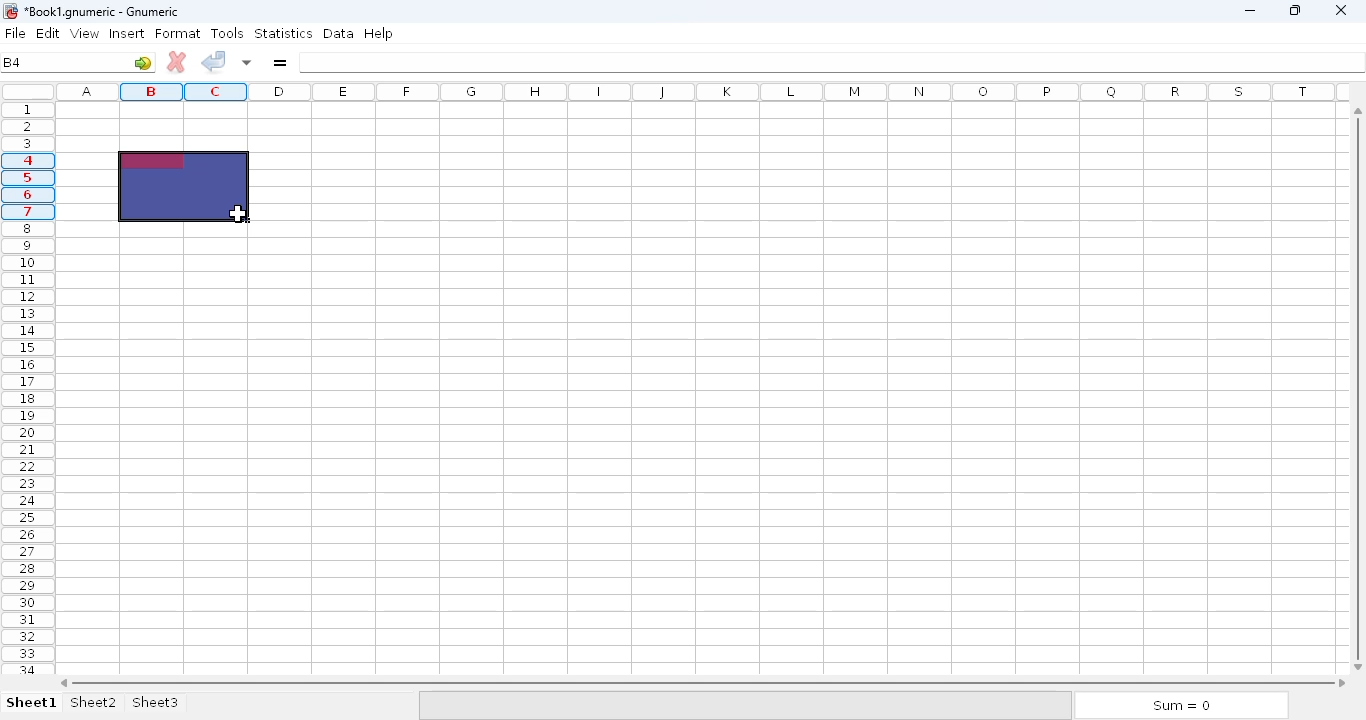  I want to click on go to, so click(144, 63).